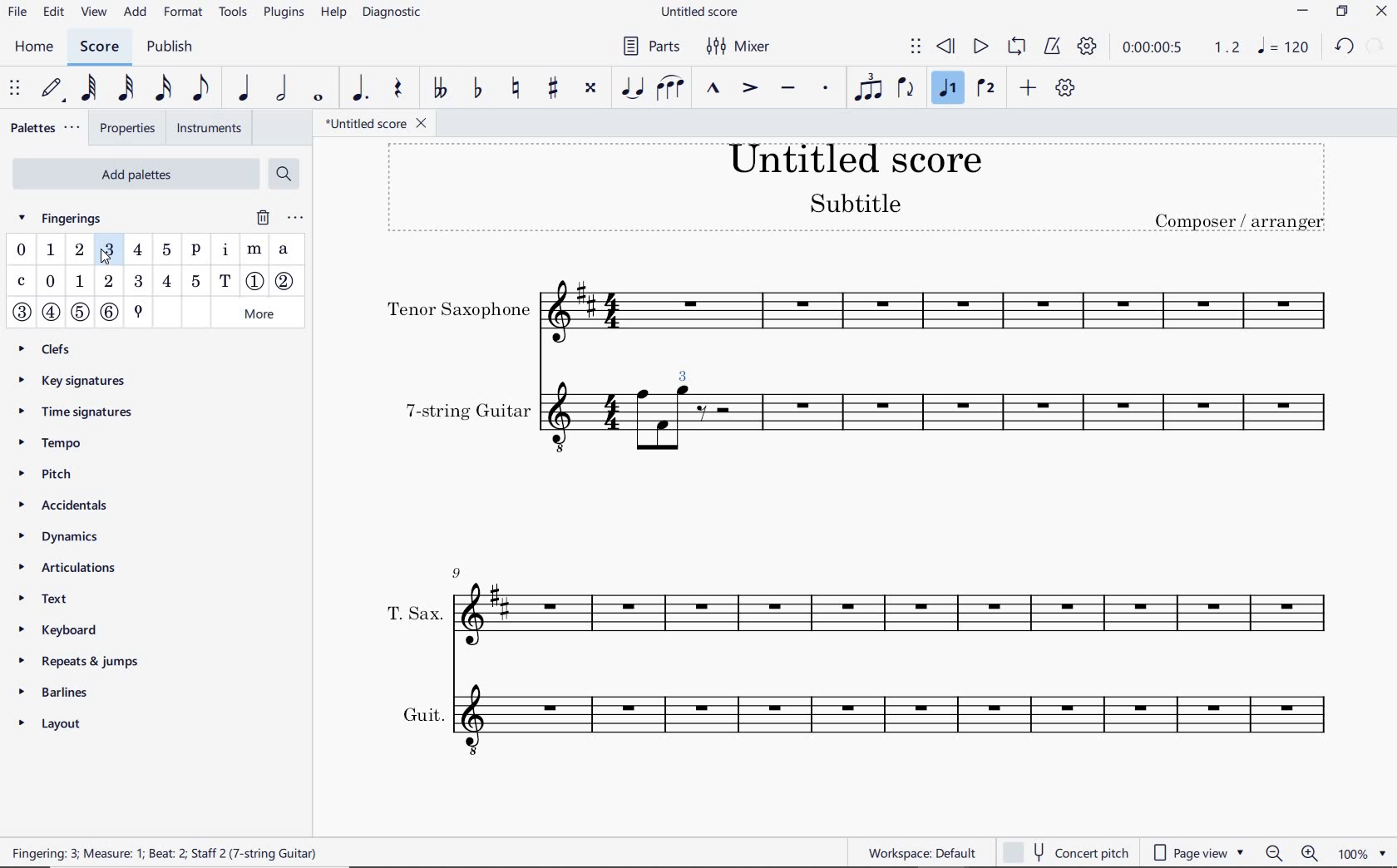  I want to click on EIGHTH NOTE, so click(202, 89).